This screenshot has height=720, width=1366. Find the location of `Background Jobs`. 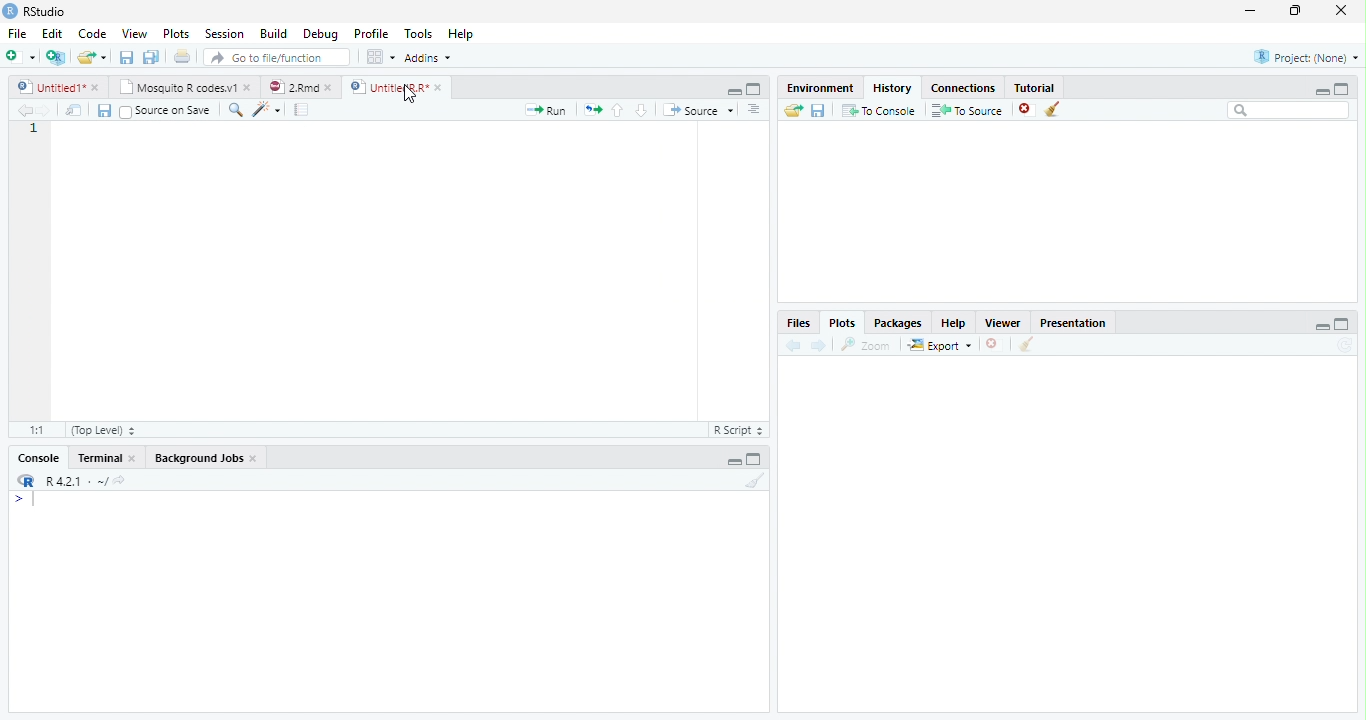

Background Jobs is located at coordinates (199, 457).